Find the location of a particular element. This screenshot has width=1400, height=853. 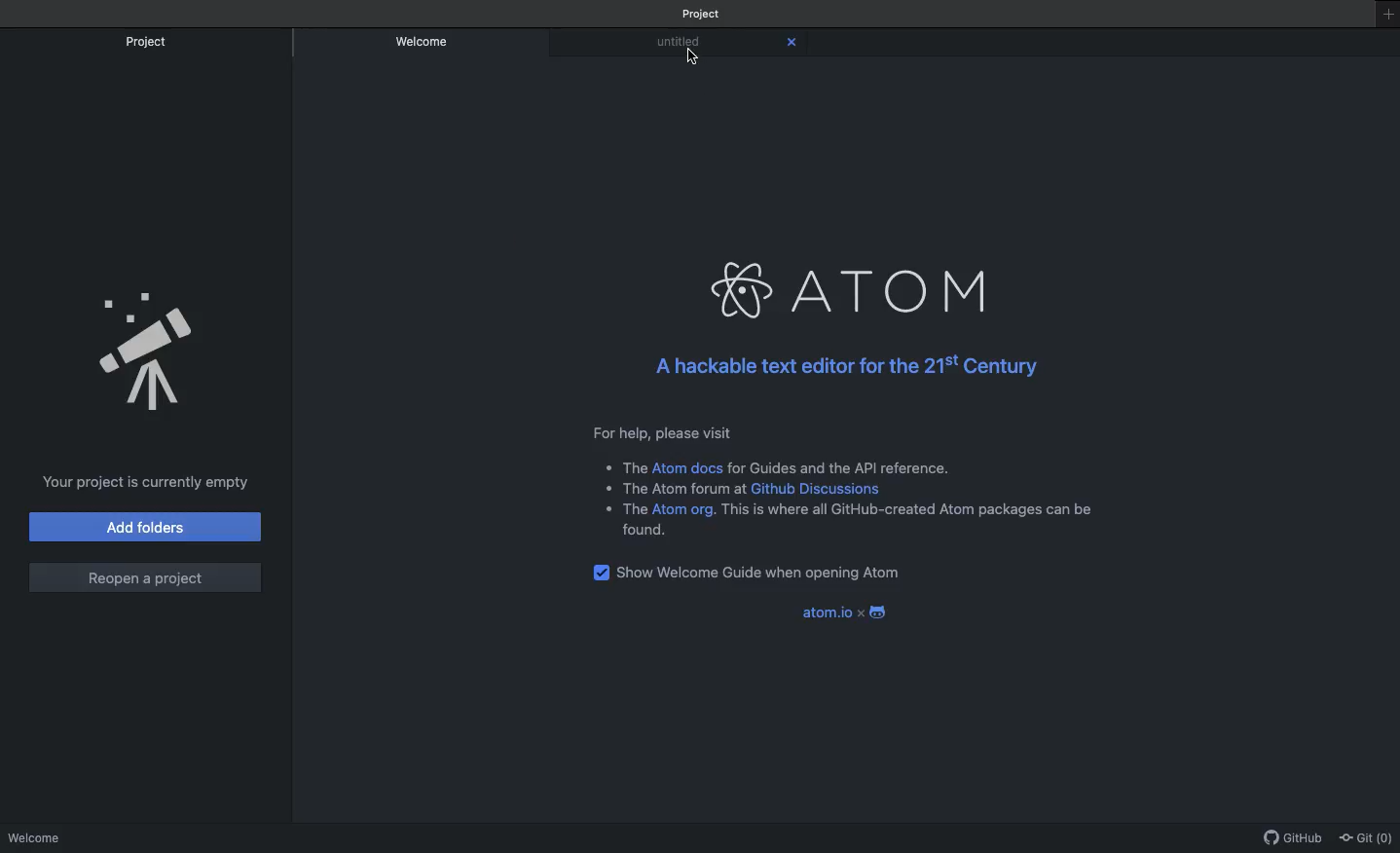

Add folders is located at coordinates (147, 527).